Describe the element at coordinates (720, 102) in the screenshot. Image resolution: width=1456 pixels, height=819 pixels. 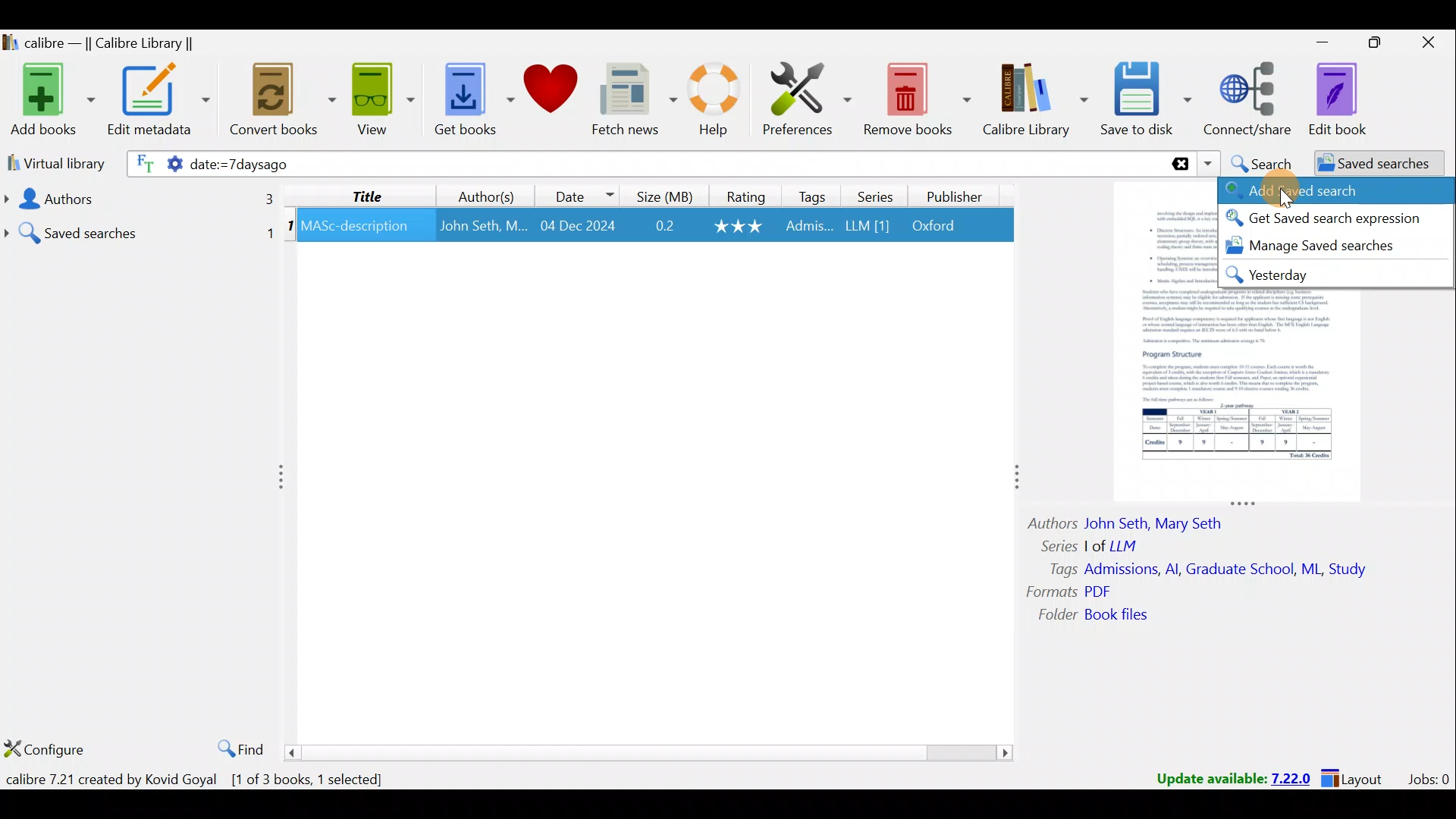
I see `Help` at that location.